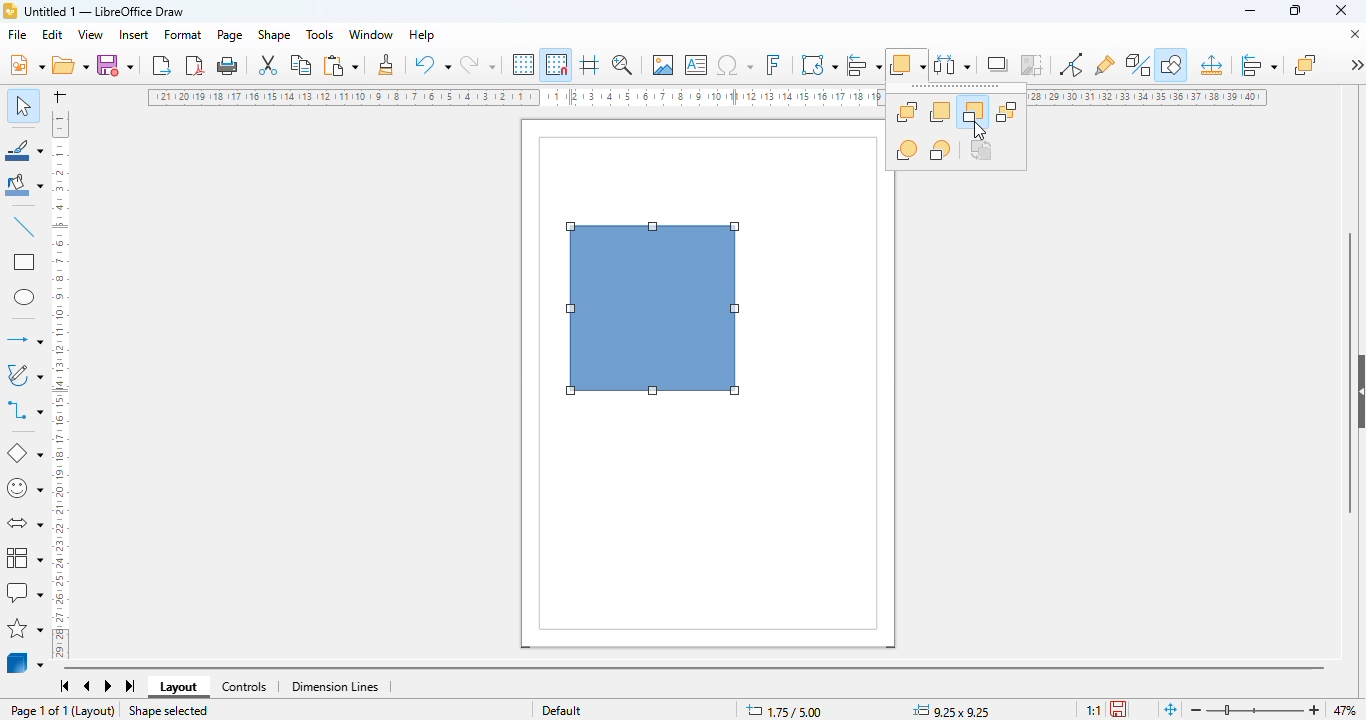 This screenshot has width=1366, height=720. Describe the element at coordinates (23, 262) in the screenshot. I see `rectangle` at that location.